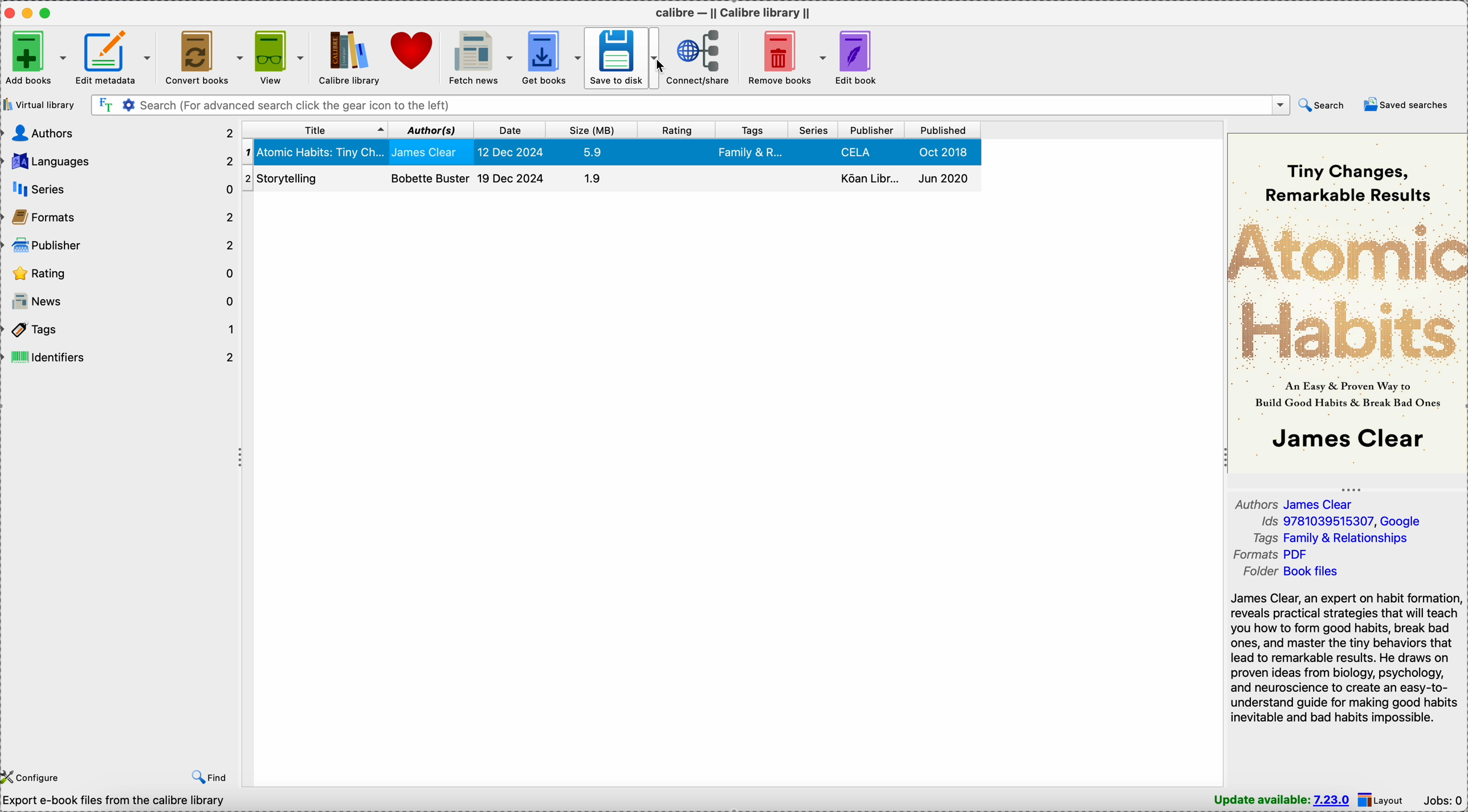  Describe the element at coordinates (432, 129) in the screenshot. I see `author(s)` at that location.